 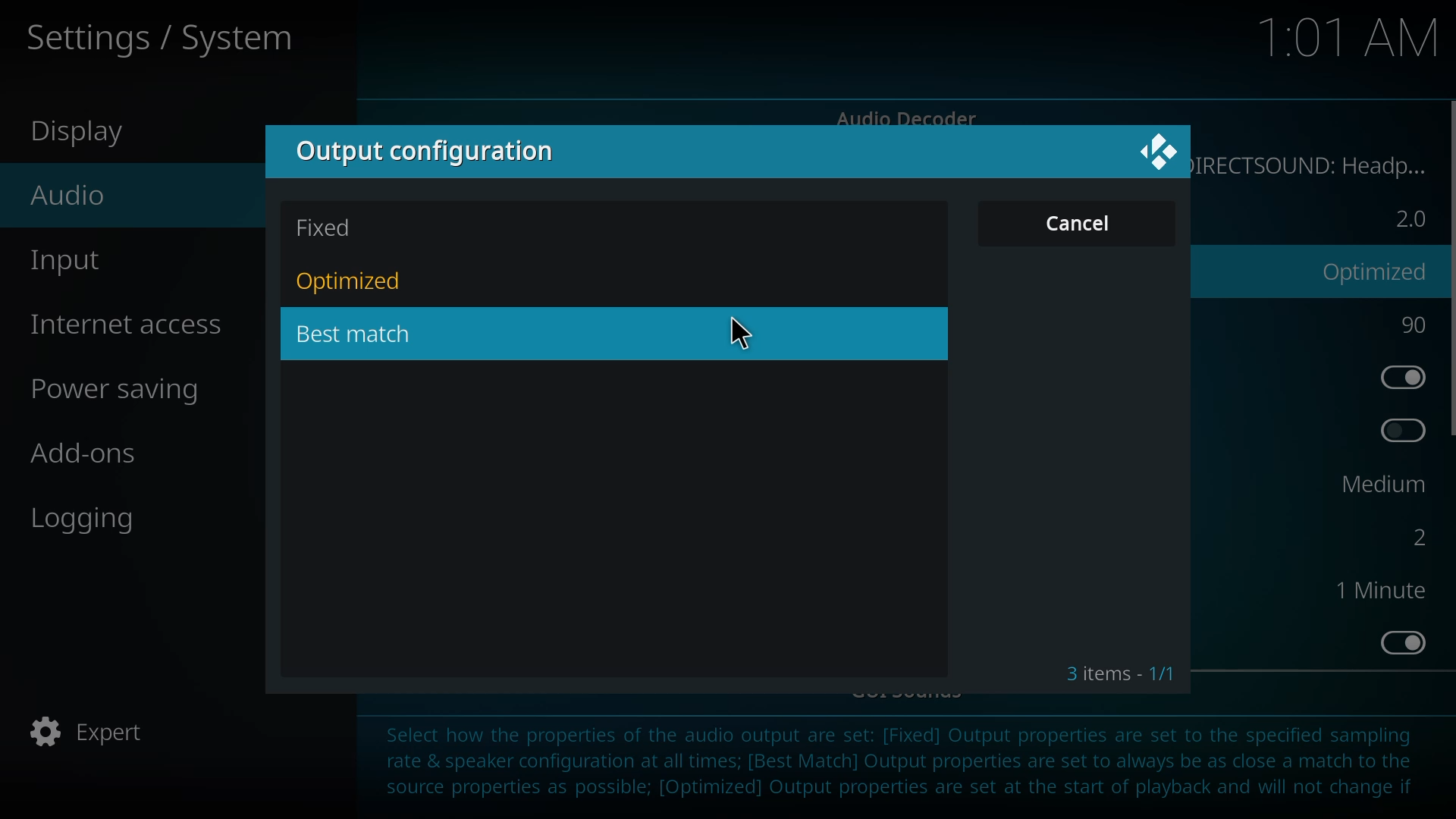 What do you see at coordinates (1081, 226) in the screenshot?
I see `cancel` at bounding box center [1081, 226].